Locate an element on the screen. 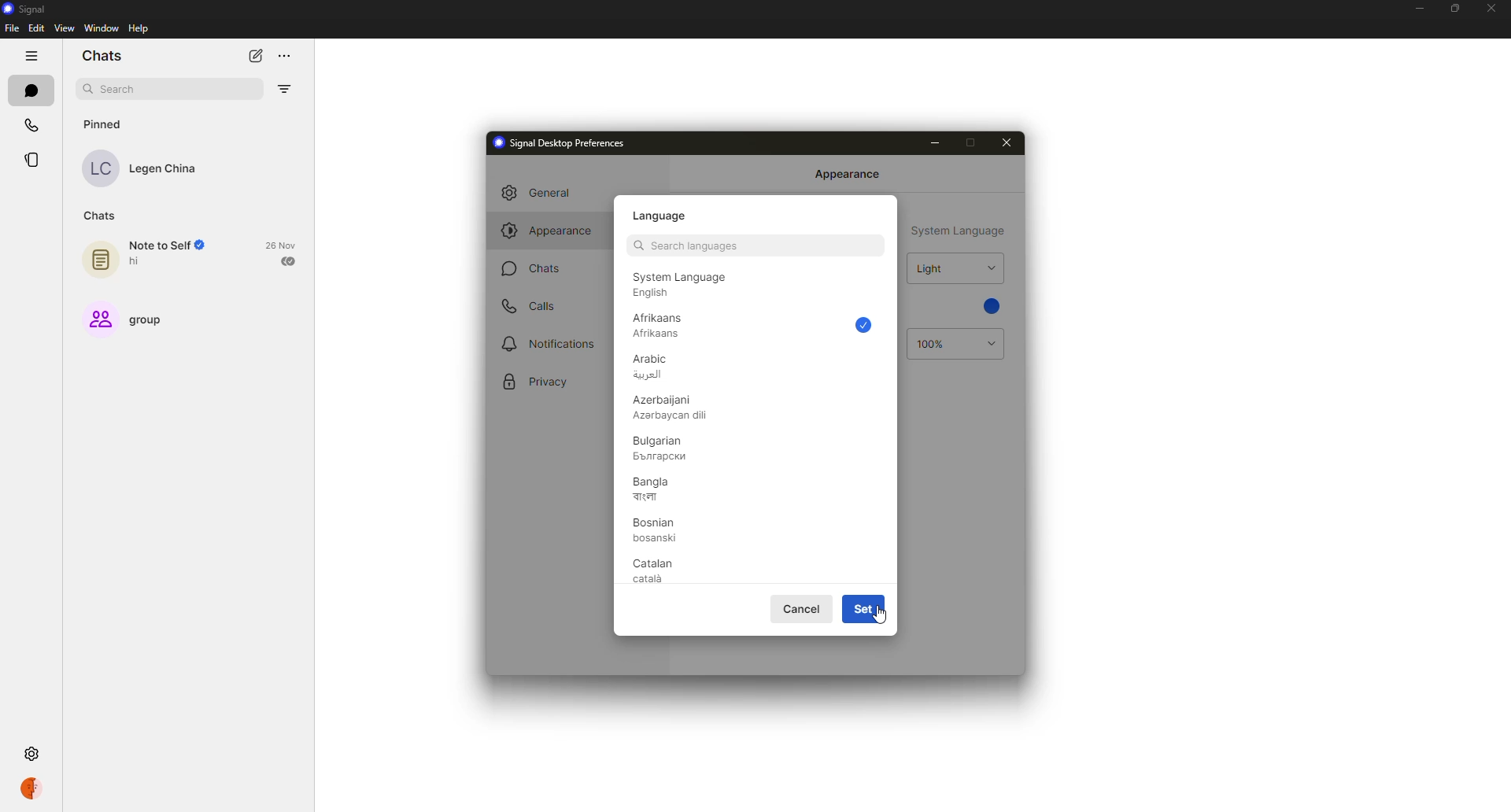 The image size is (1511, 812). window is located at coordinates (101, 29).